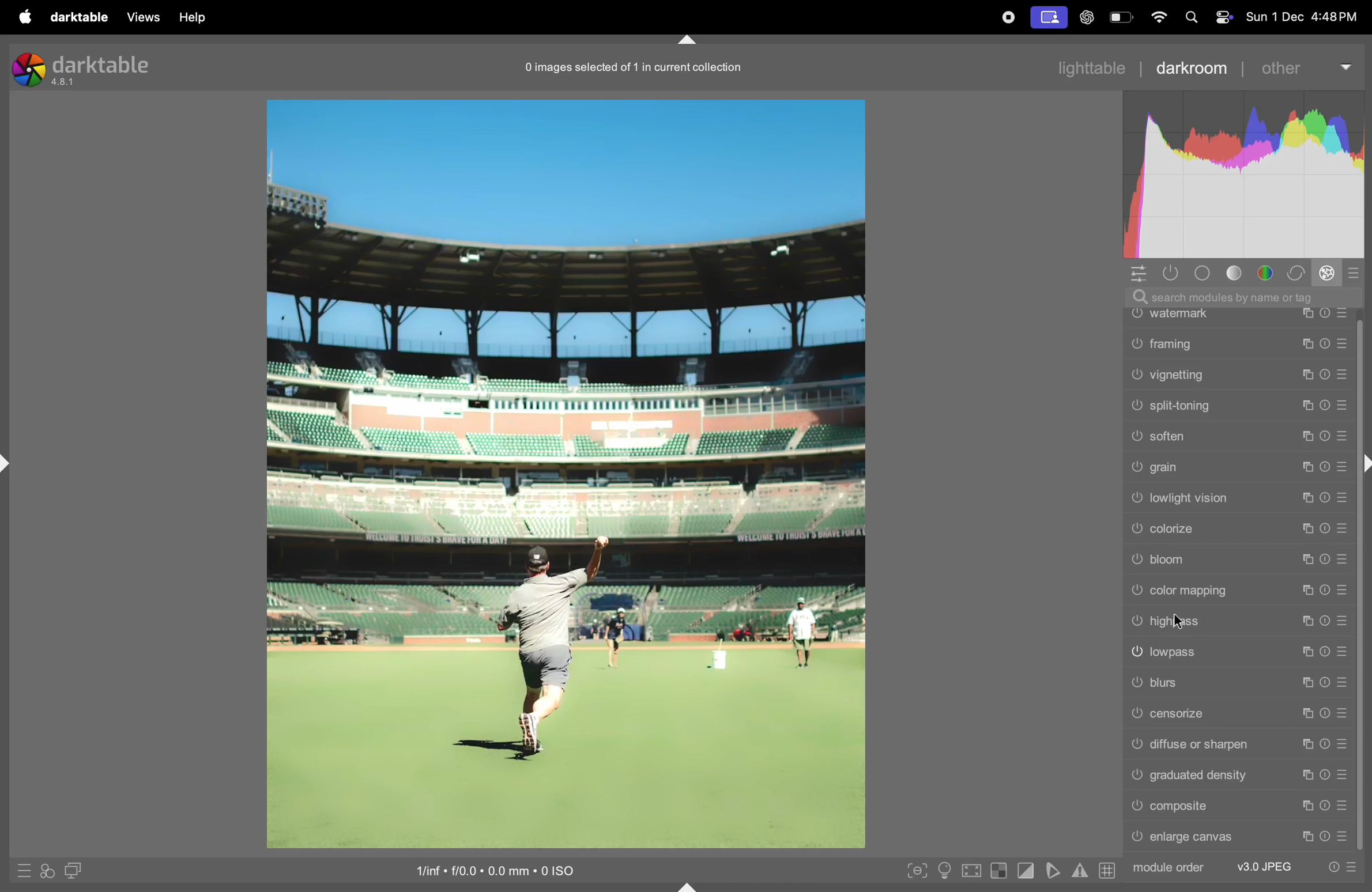 Image resolution: width=1372 pixels, height=892 pixels. Describe the element at coordinates (1007, 18) in the screenshot. I see `record` at that location.